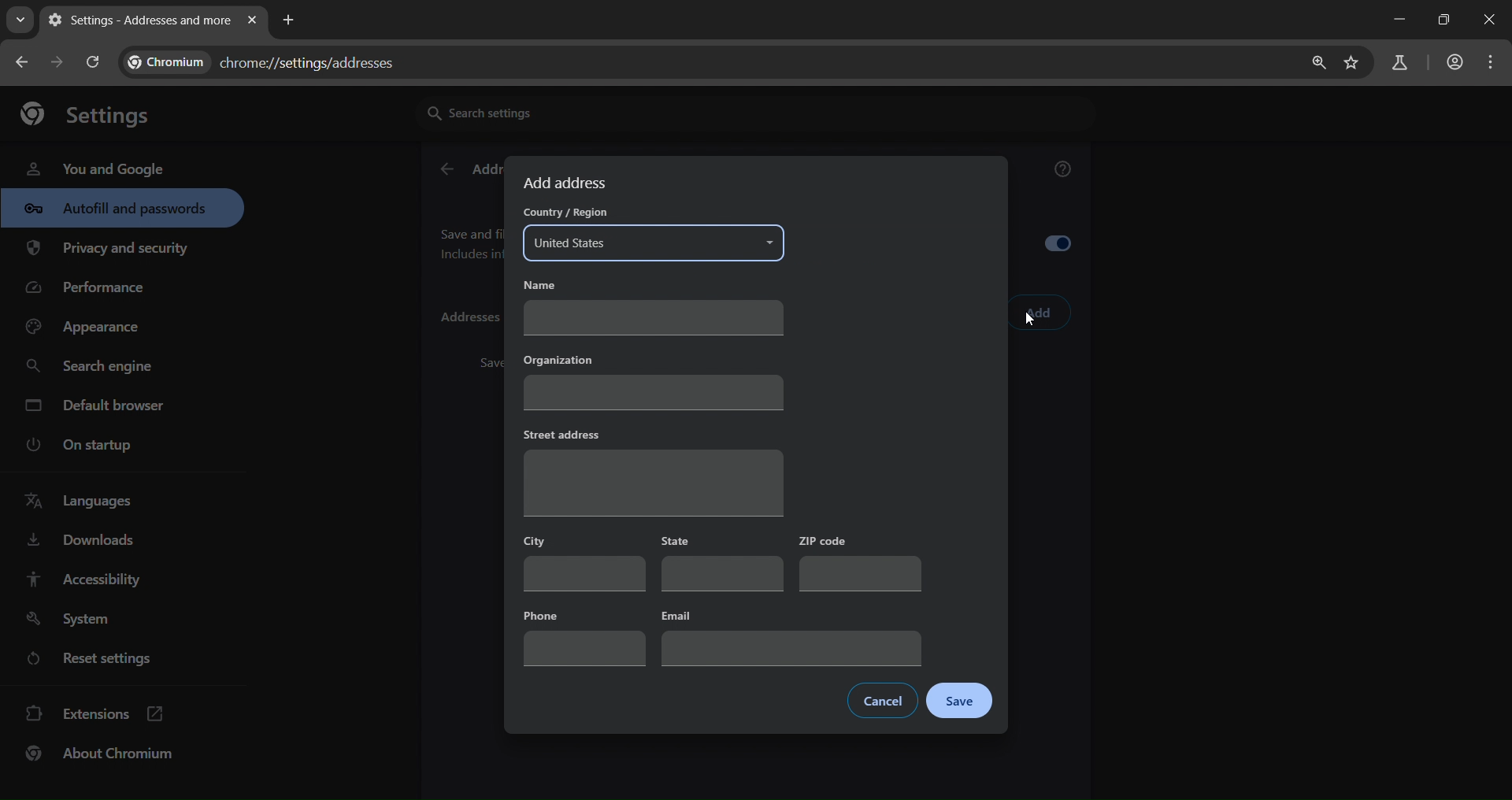 This screenshot has height=800, width=1512. What do you see at coordinates (20, 20) in the screenshot?
I see `search  tabs` at bounding box center [20, 20].